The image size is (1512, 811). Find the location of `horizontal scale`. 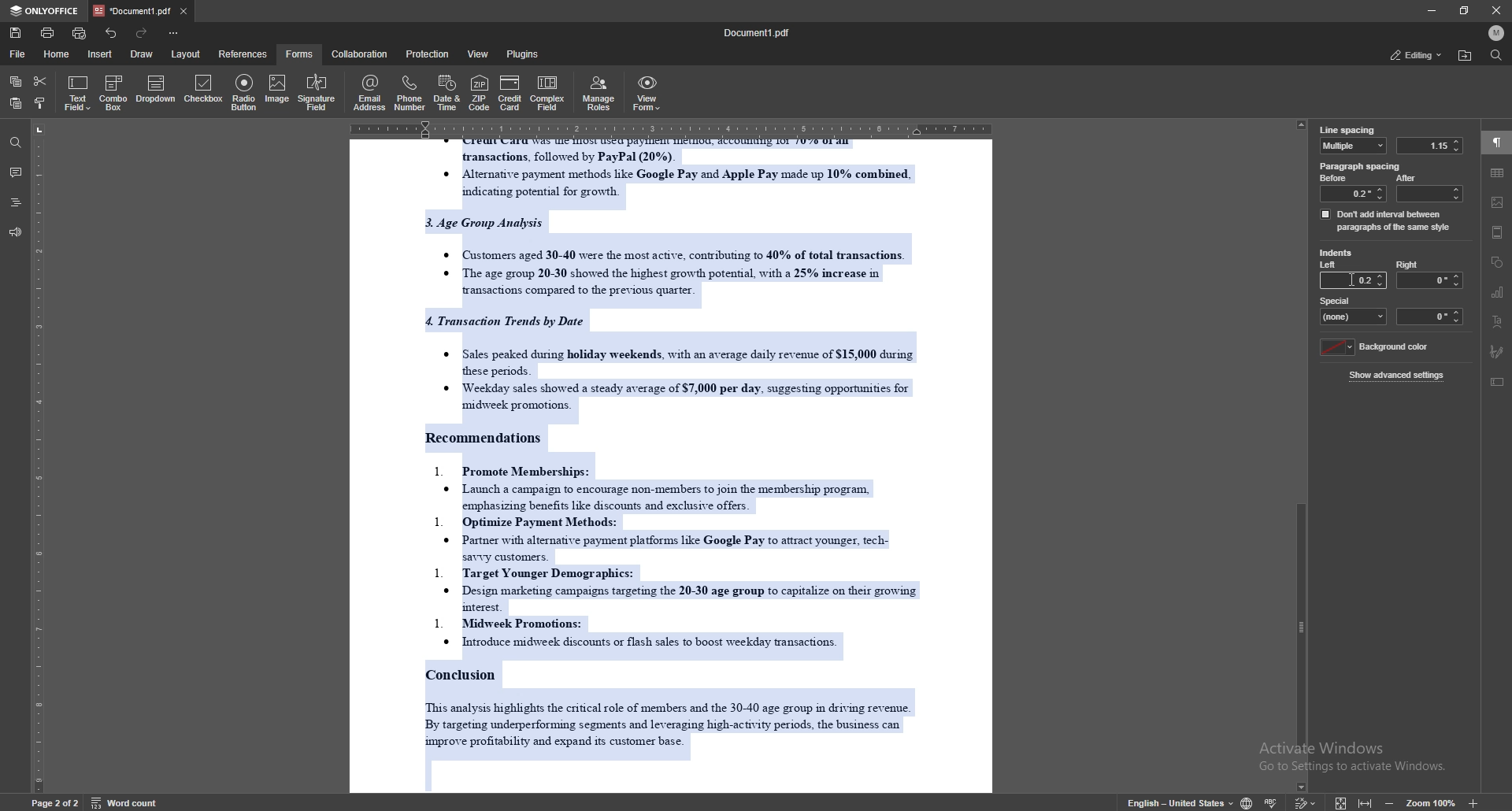

horizontal scale is located at coordinates (669, 127).